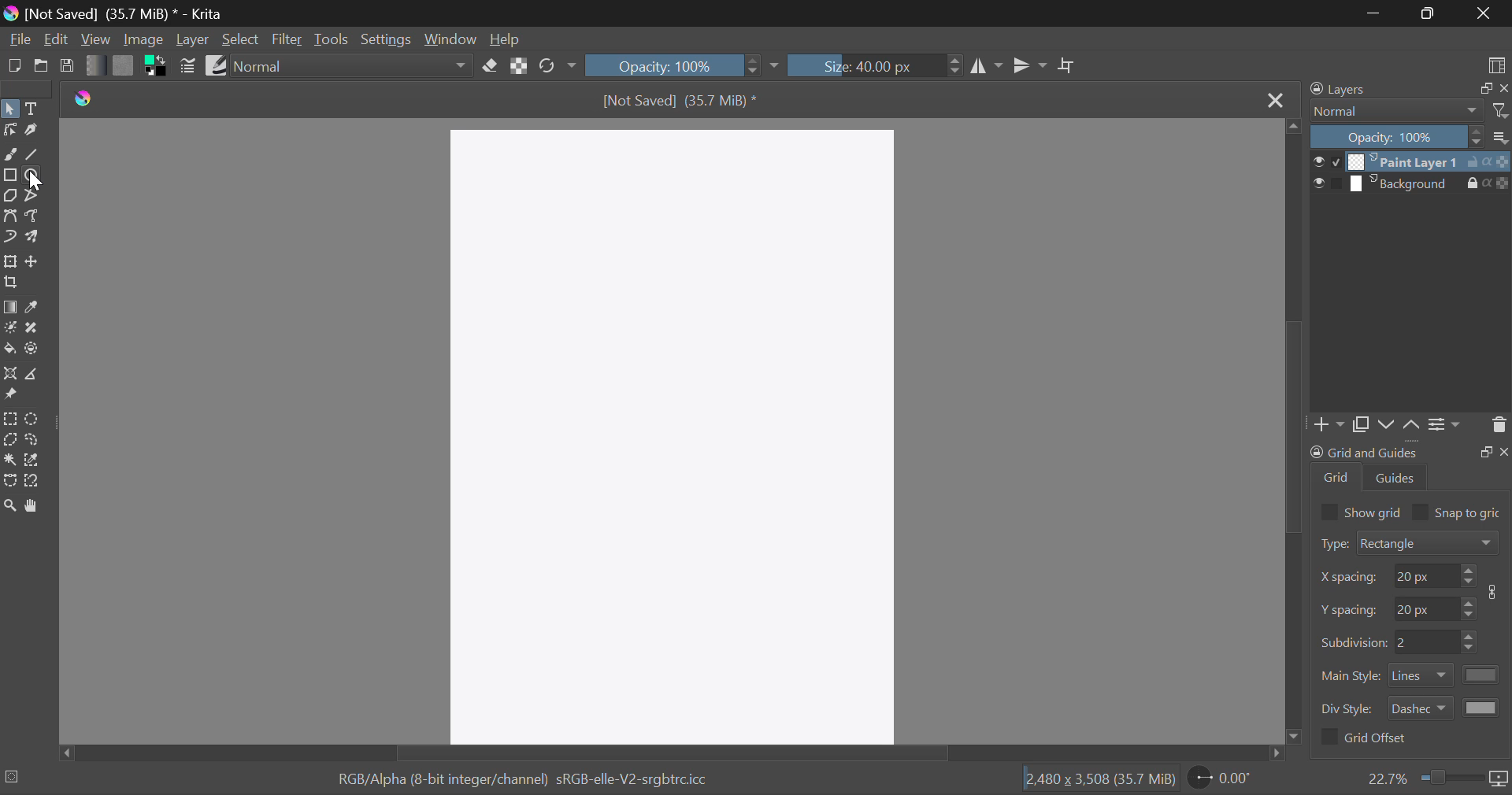 The height and width of the screenshot is (795, 1512). I want to click on Dynamic Brush, so click(10, 238).